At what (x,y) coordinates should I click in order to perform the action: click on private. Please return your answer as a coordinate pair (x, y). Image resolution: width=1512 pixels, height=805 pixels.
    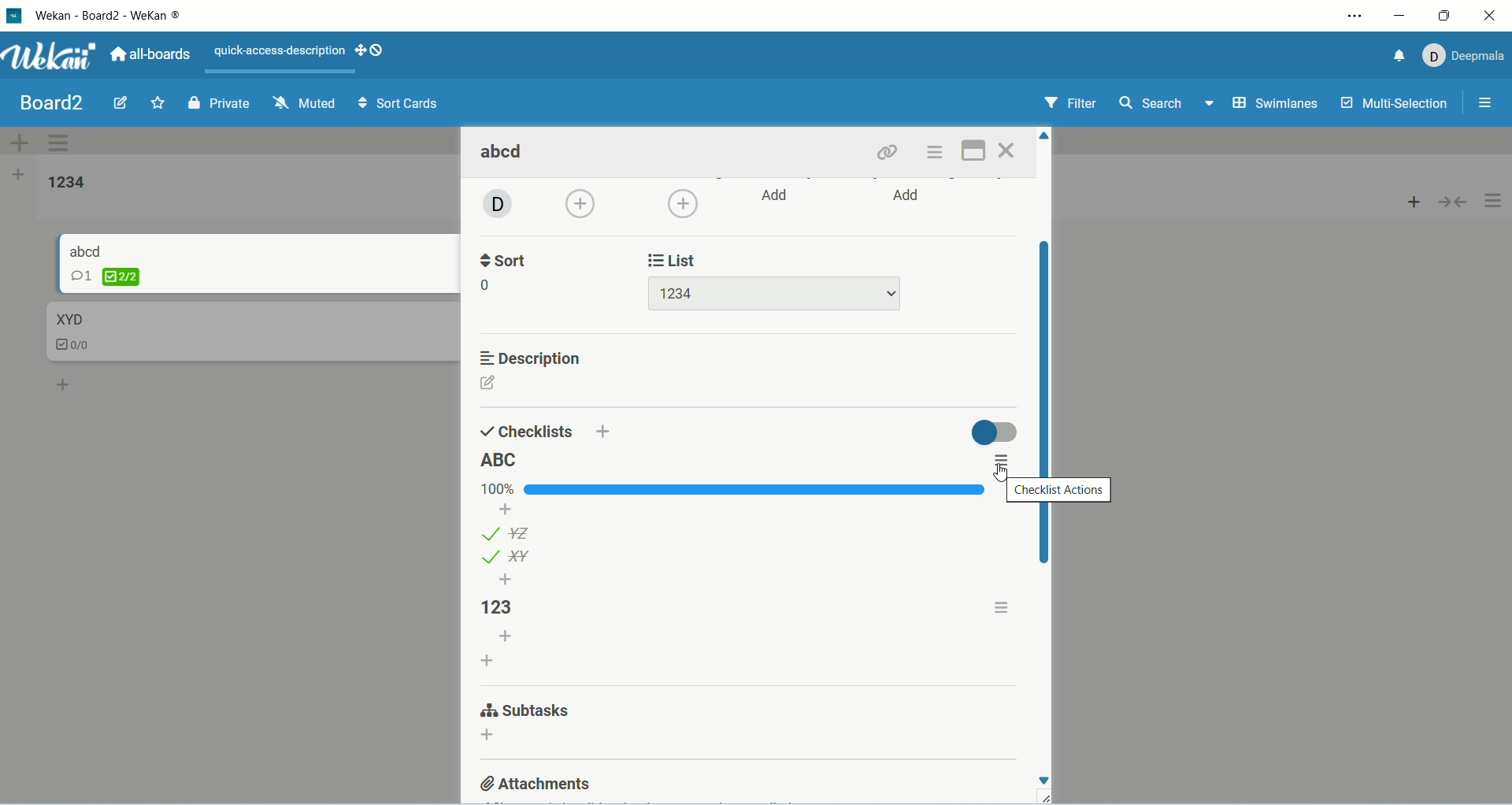
    Looking at the image, I should click on (216, 106).